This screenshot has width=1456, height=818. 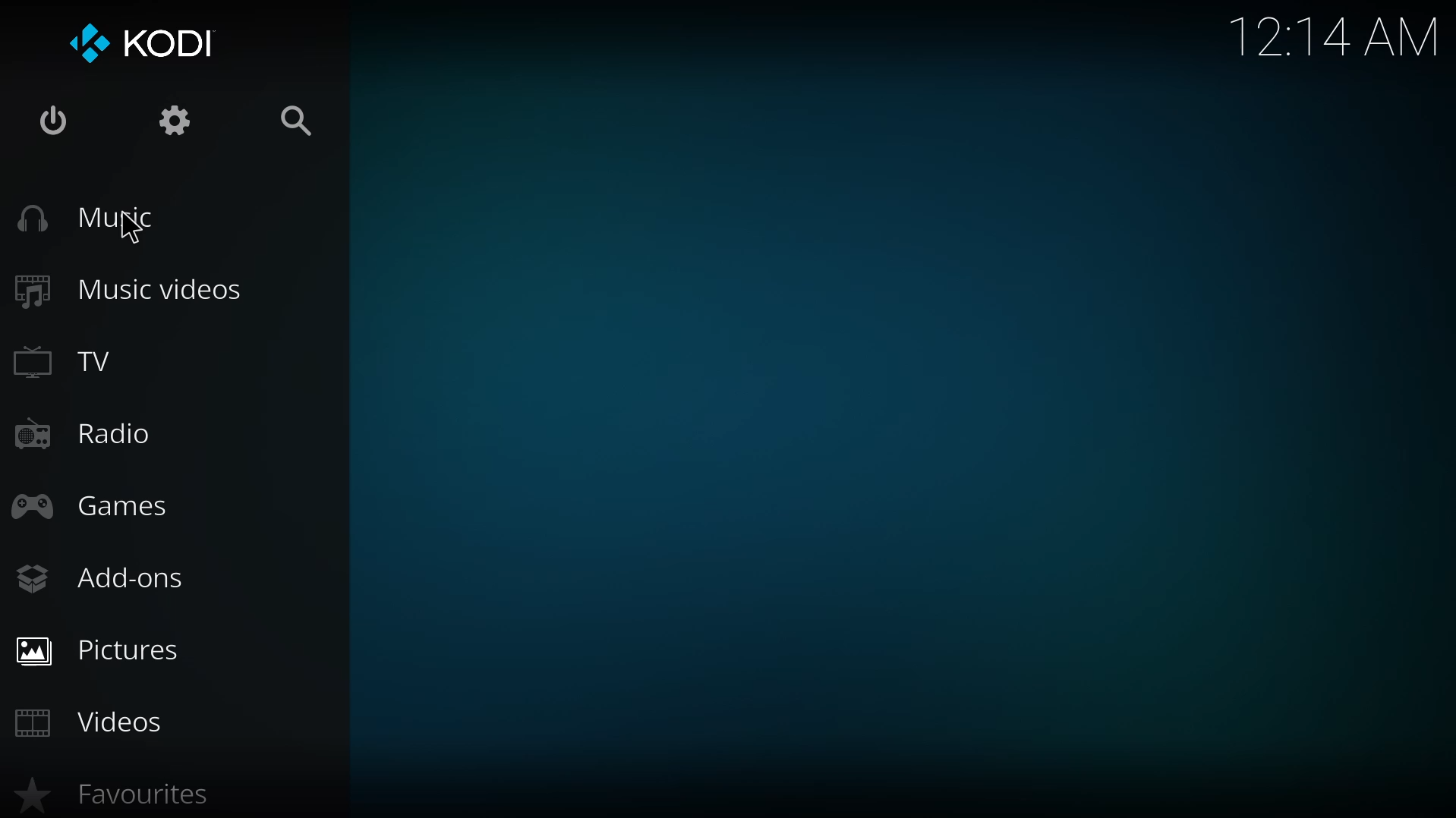 I want to click on add-ons, so click(x=106, y=580).